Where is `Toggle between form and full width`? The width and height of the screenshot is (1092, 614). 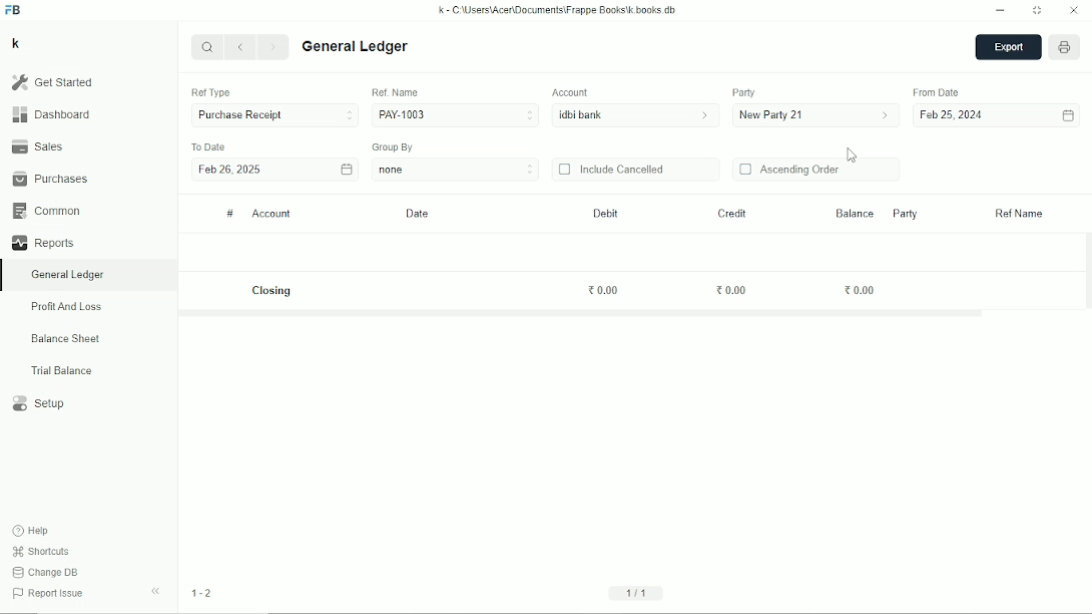
Toggle between form and full width is located at coordinates (1037, 11).